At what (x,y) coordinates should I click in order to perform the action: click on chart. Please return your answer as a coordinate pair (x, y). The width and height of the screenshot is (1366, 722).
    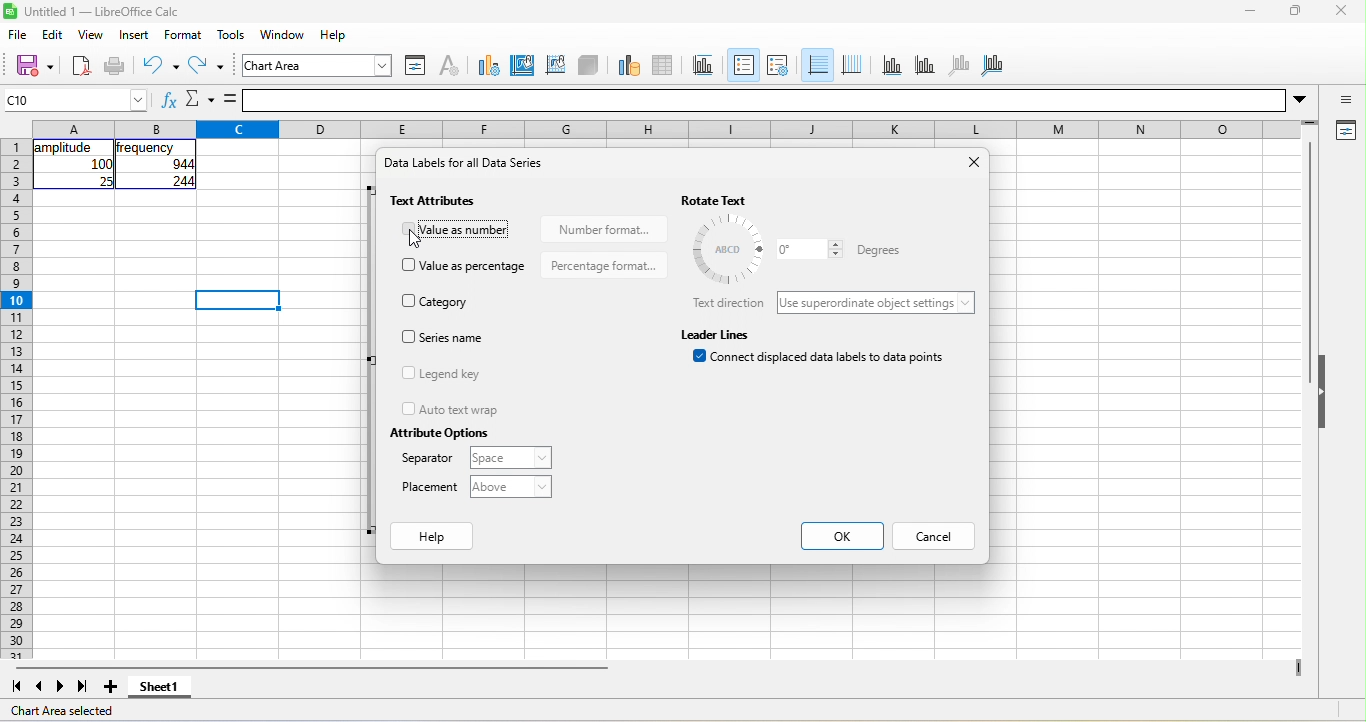
    Looking at the image, I should click on (319, 65).